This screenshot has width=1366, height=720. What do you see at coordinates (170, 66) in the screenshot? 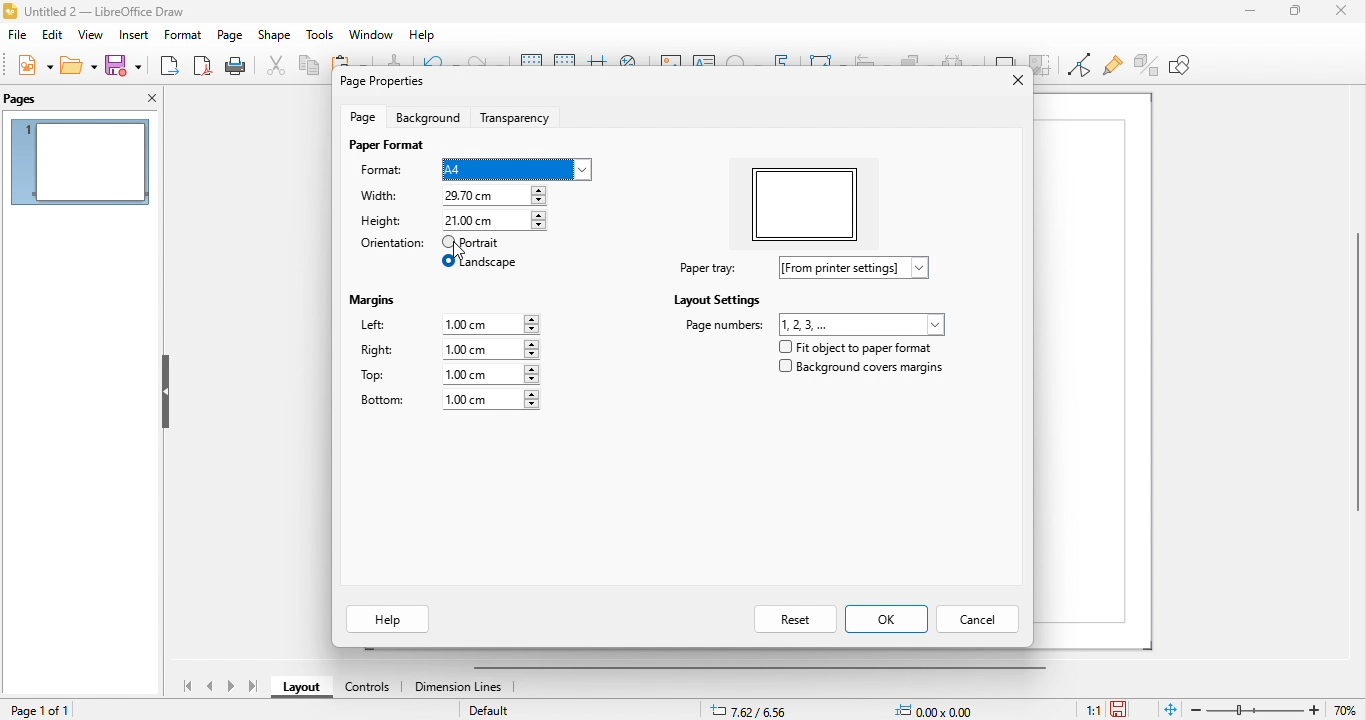
I see `export as ` at bounding box center [170, 66].